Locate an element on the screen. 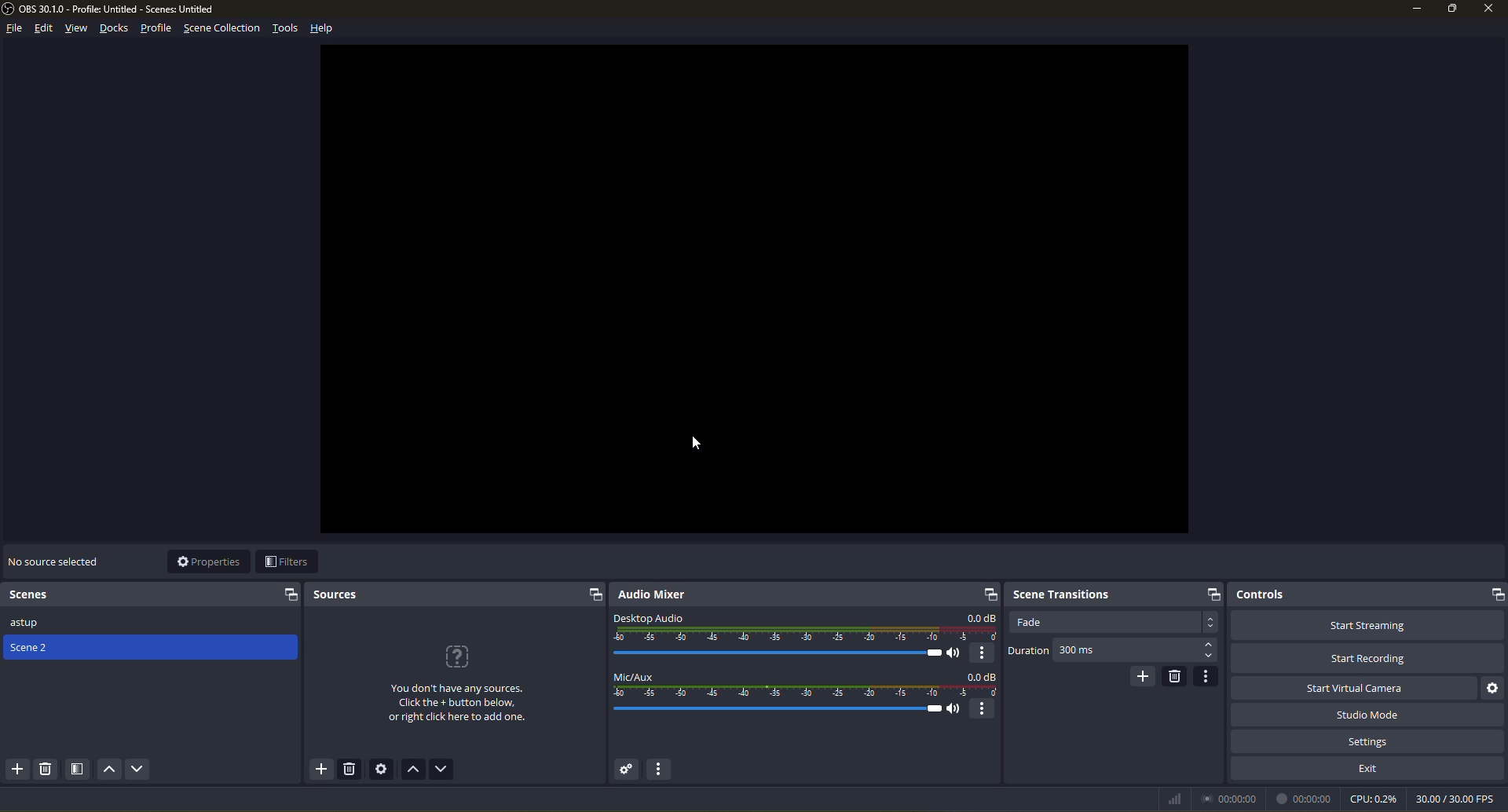 Image resolution: width=1508 pixels, height=812 pixels. Scene 2 is located at coordinates (43, 648).